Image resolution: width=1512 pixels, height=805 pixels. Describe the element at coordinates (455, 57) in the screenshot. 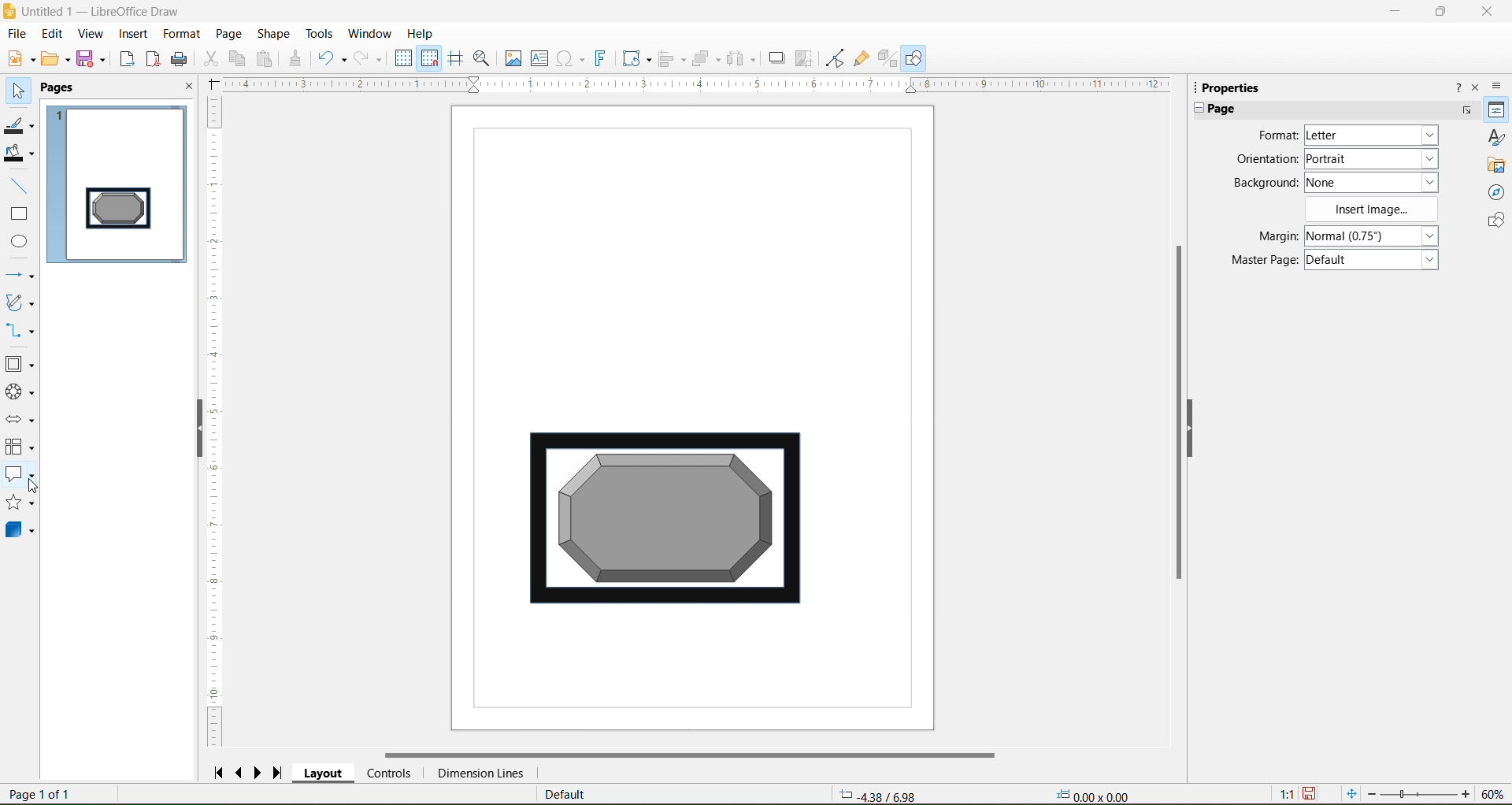

I see `Helplines while moving` at that location.